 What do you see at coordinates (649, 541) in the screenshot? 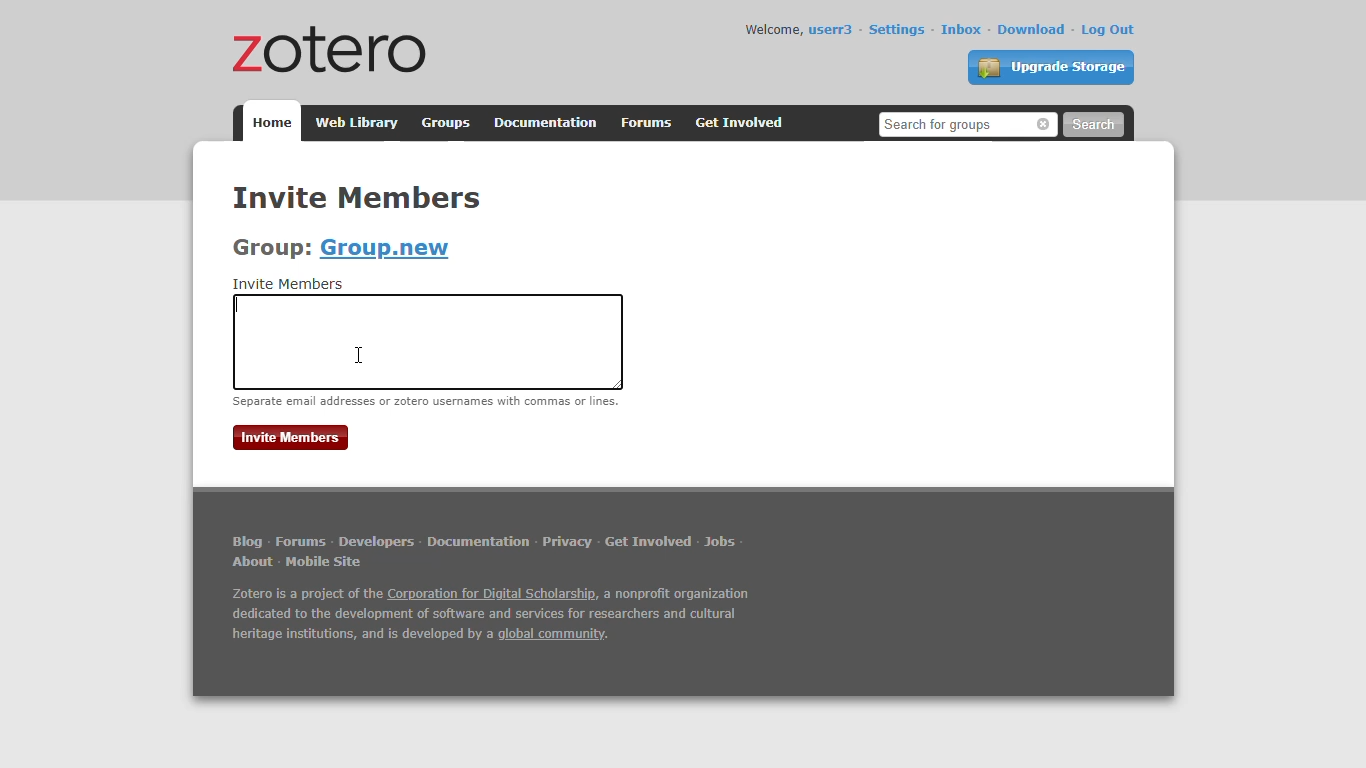
I see `get involved` at bounding box center [649, 541].